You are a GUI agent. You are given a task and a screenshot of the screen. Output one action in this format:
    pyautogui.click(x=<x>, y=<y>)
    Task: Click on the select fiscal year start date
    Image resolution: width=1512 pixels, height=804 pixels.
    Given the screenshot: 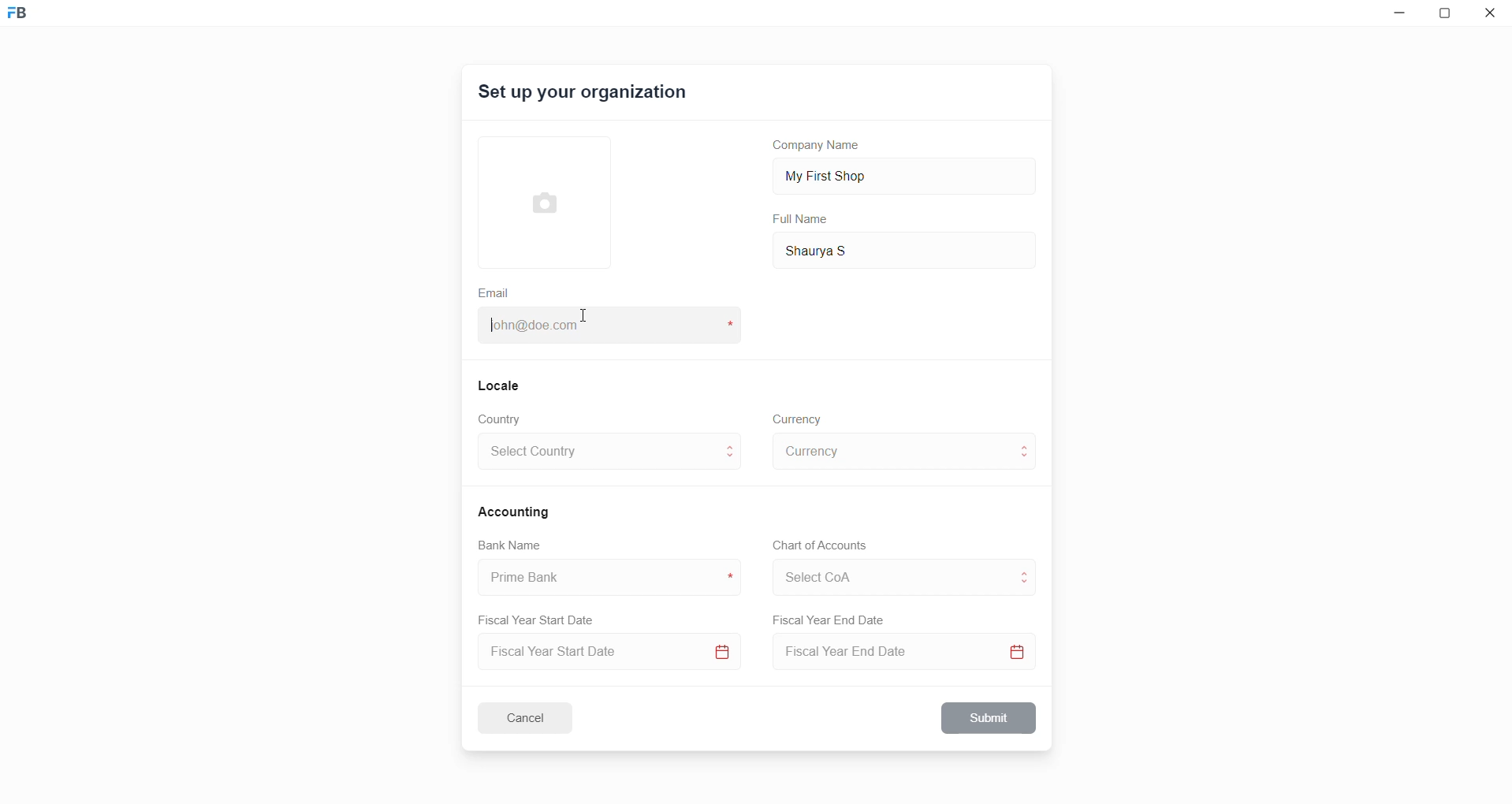 What is the action you would take?
    pyautogui.click(x=605, y=653)
    